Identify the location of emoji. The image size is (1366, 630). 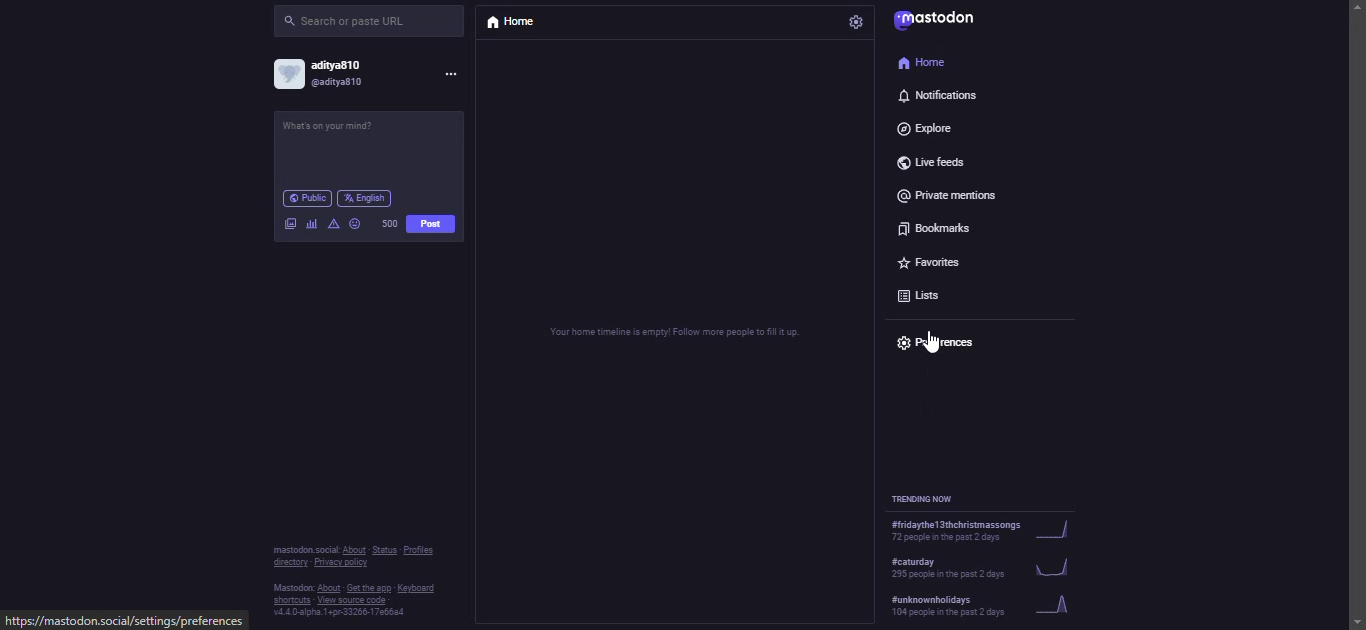
(355, 224).